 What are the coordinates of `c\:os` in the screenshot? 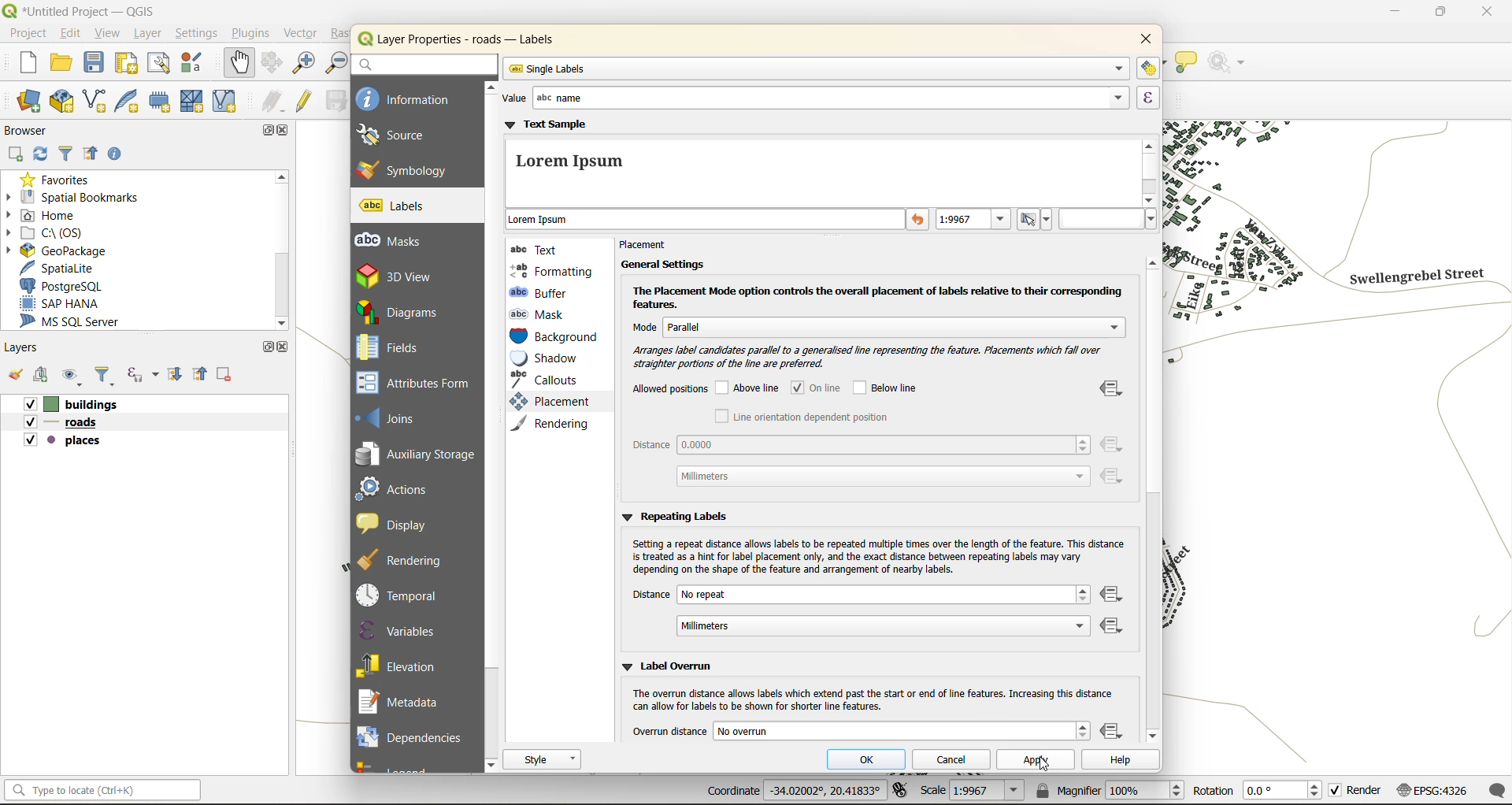 It's located at (57, 234).